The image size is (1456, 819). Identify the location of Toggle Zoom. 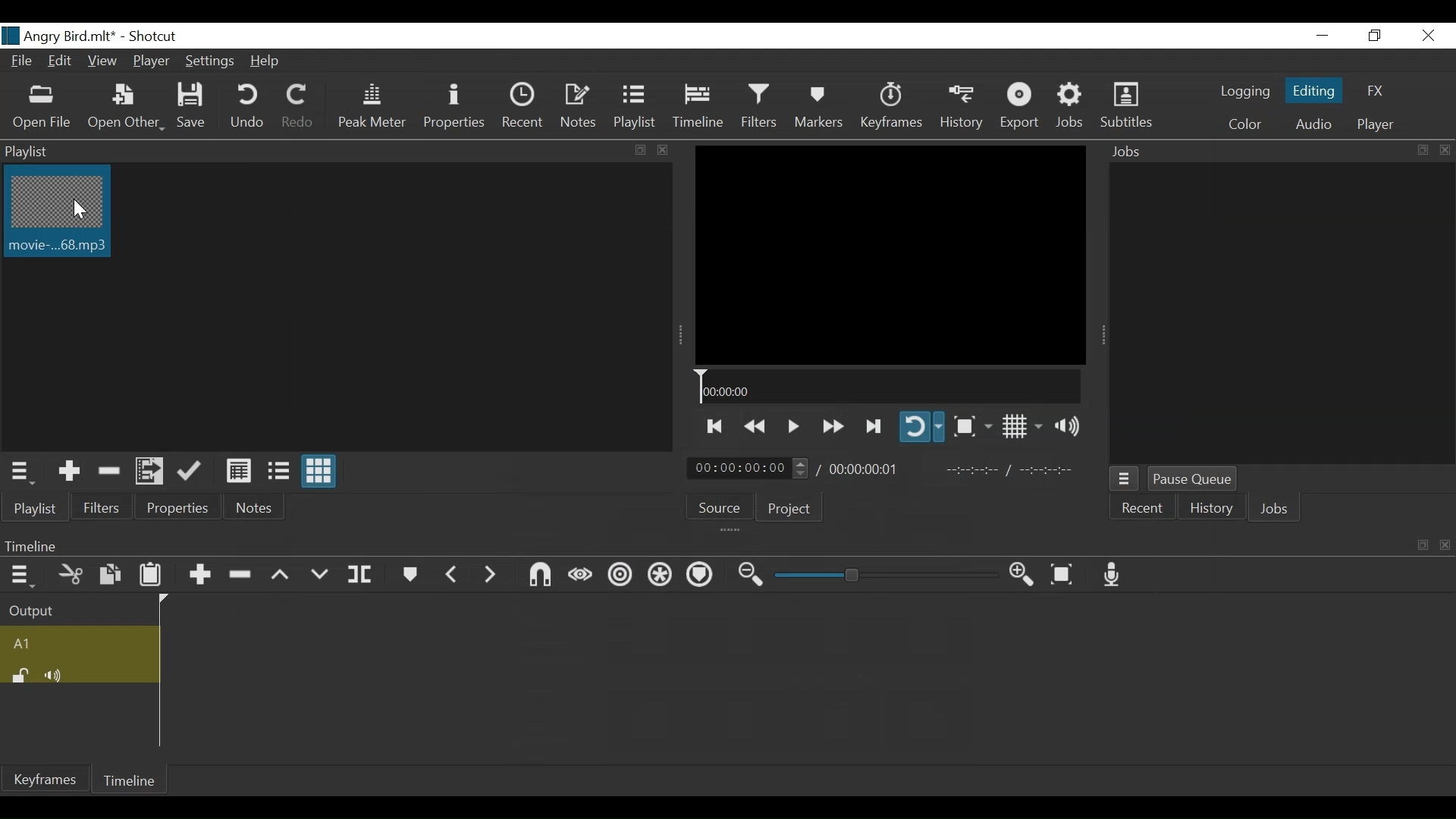
(972, 425).